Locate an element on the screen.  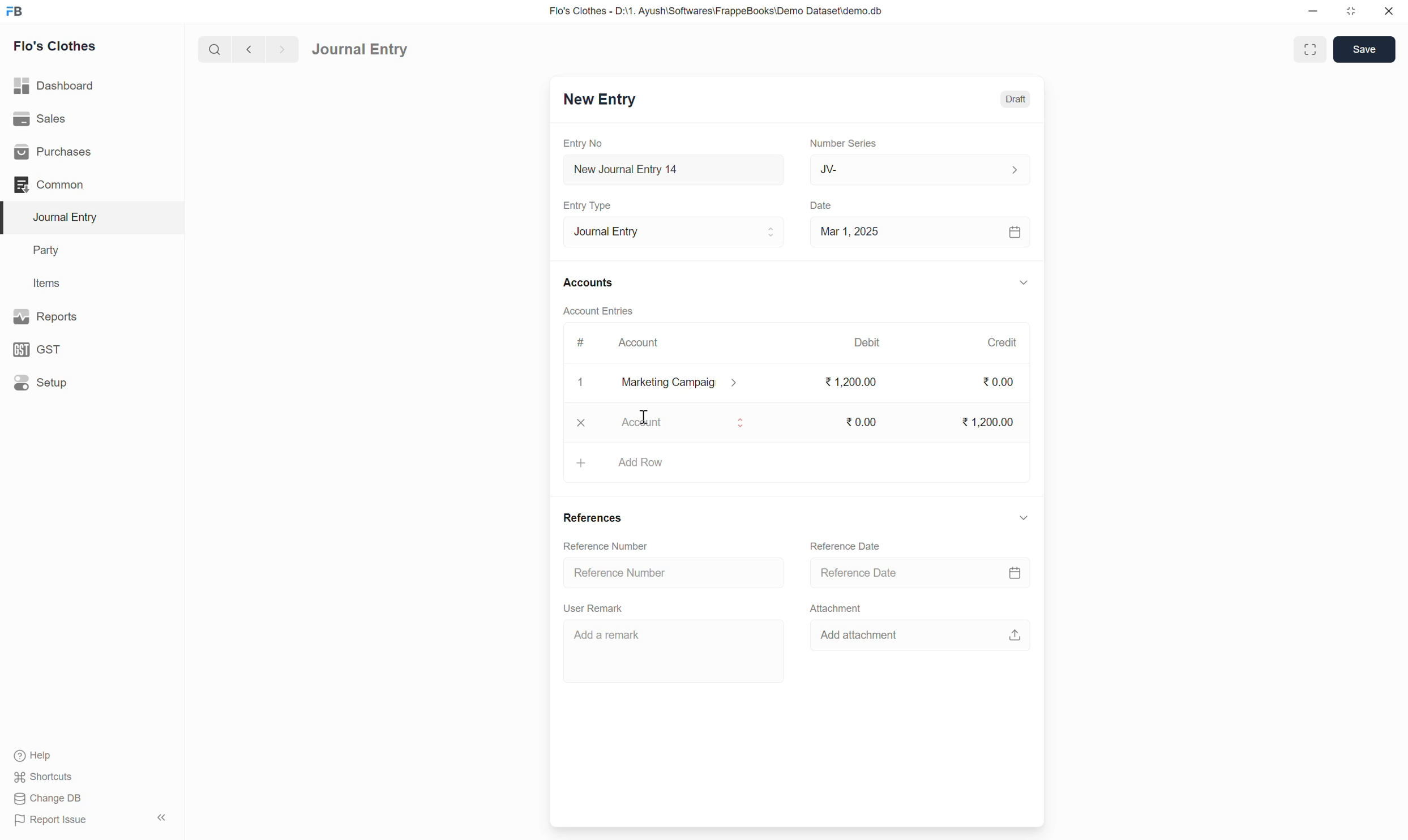
close is located at coordinates (1389, 11).